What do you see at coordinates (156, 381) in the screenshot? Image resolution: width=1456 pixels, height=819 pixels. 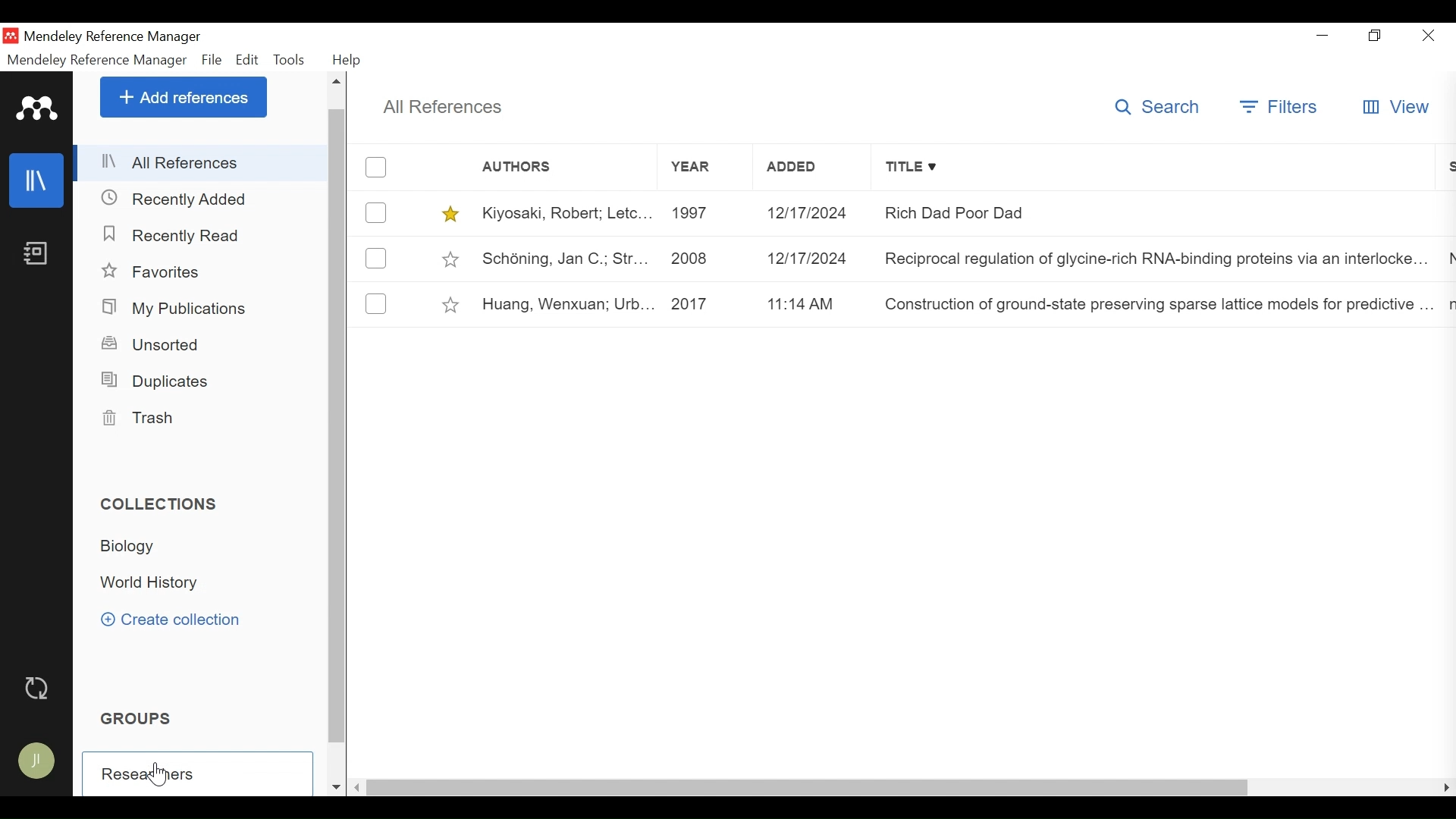 I see `Duplicates` at bounding box center [156, 381].